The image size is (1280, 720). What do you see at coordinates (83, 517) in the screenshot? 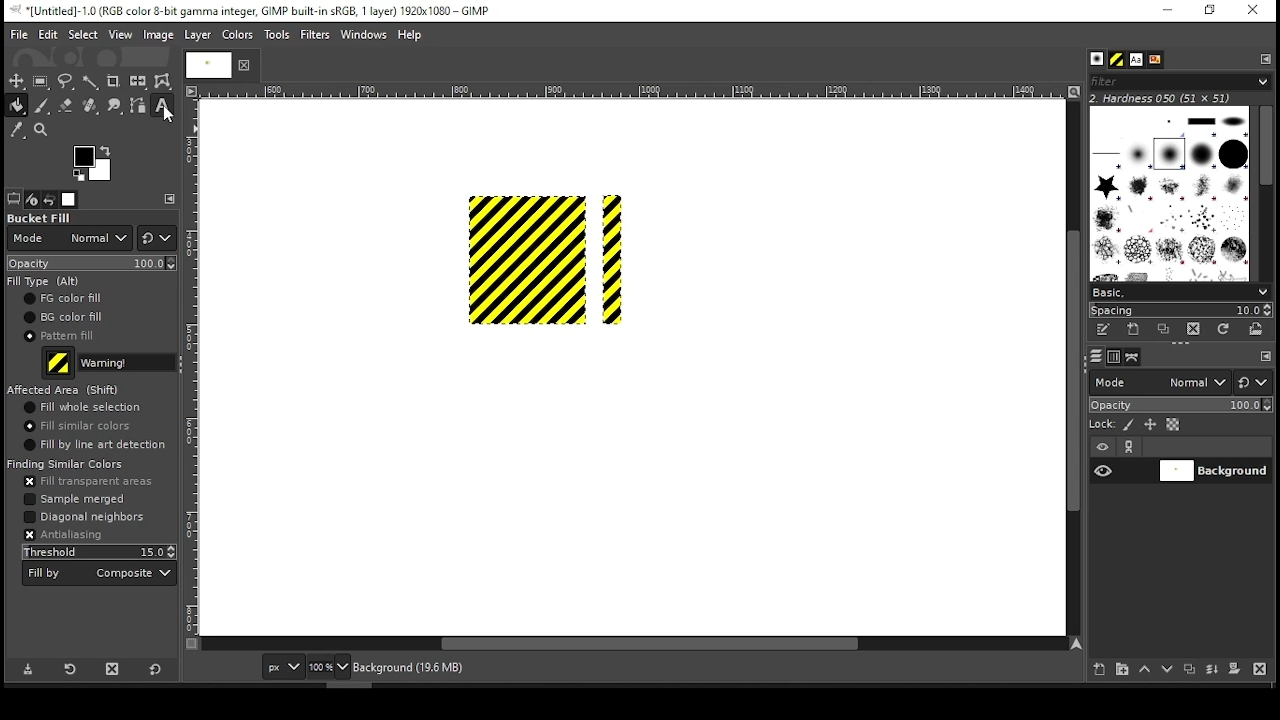
I see `diagonal neighbors` at bounding box center [83, 517].